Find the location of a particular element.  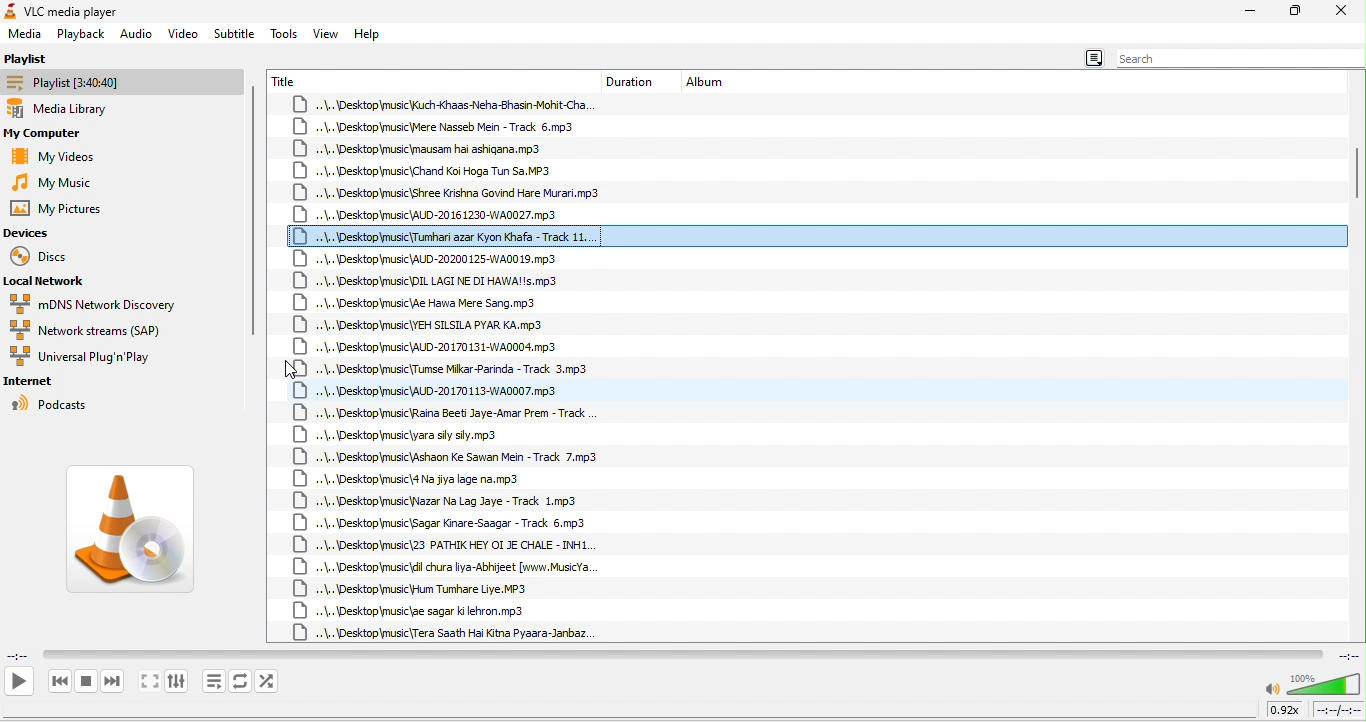

+.\..\Desktop\music\AUD-20200 125-WA00 19.mp3 is located at coordinates (428, 257).